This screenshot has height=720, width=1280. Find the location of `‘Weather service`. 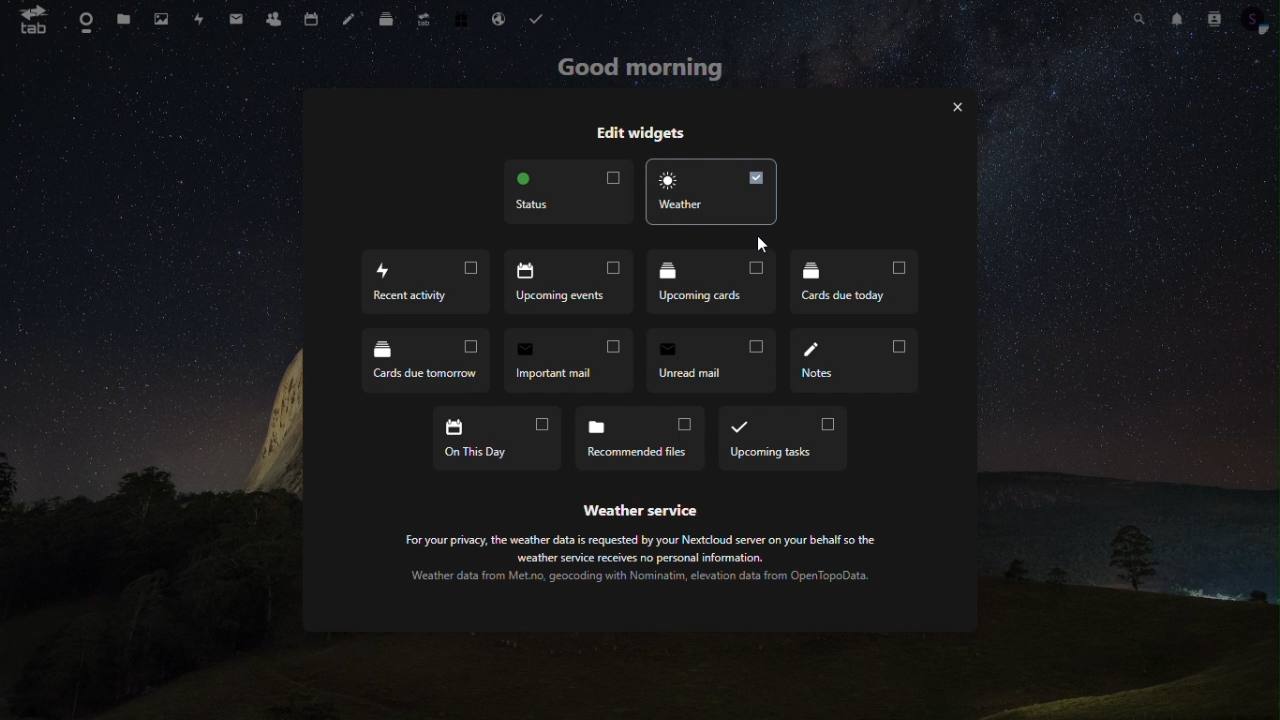

‘Weather service is located at coordinates (635, 510).